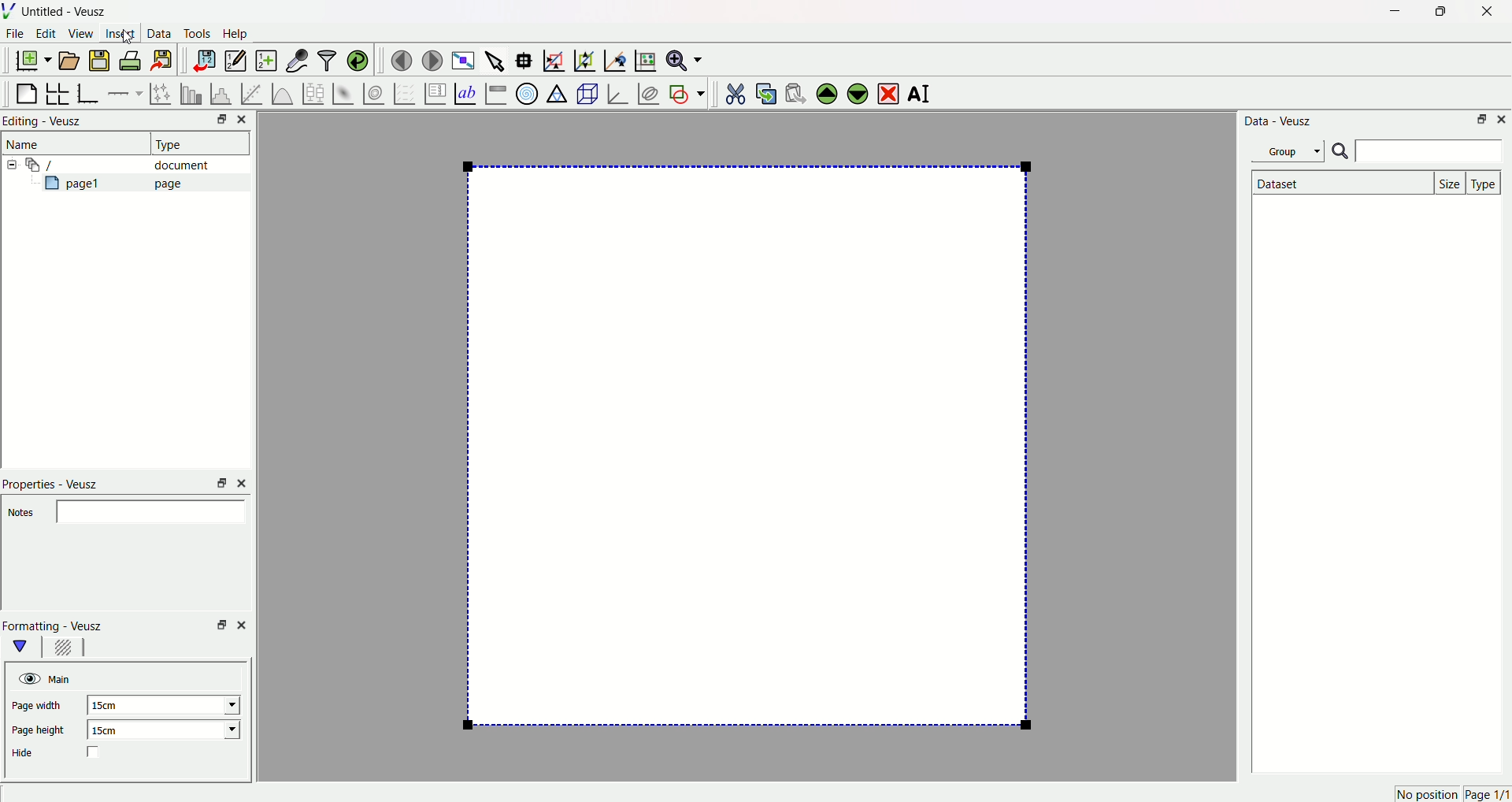 This screenshot has width=1512, height=802. I want to click on edit and entry new datasets, so click(235, 62).